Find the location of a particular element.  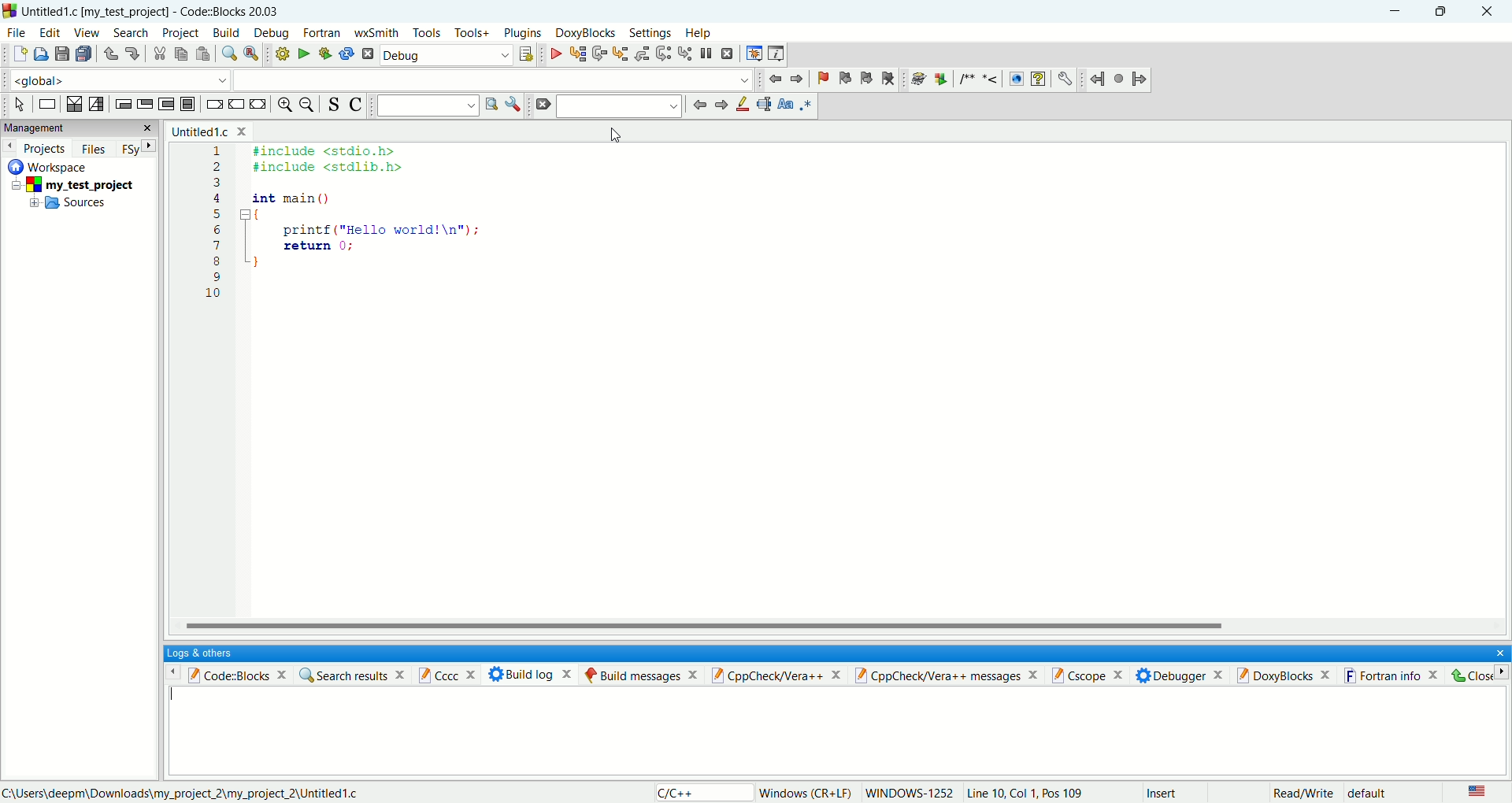

run is located at coordinates (300, 54).